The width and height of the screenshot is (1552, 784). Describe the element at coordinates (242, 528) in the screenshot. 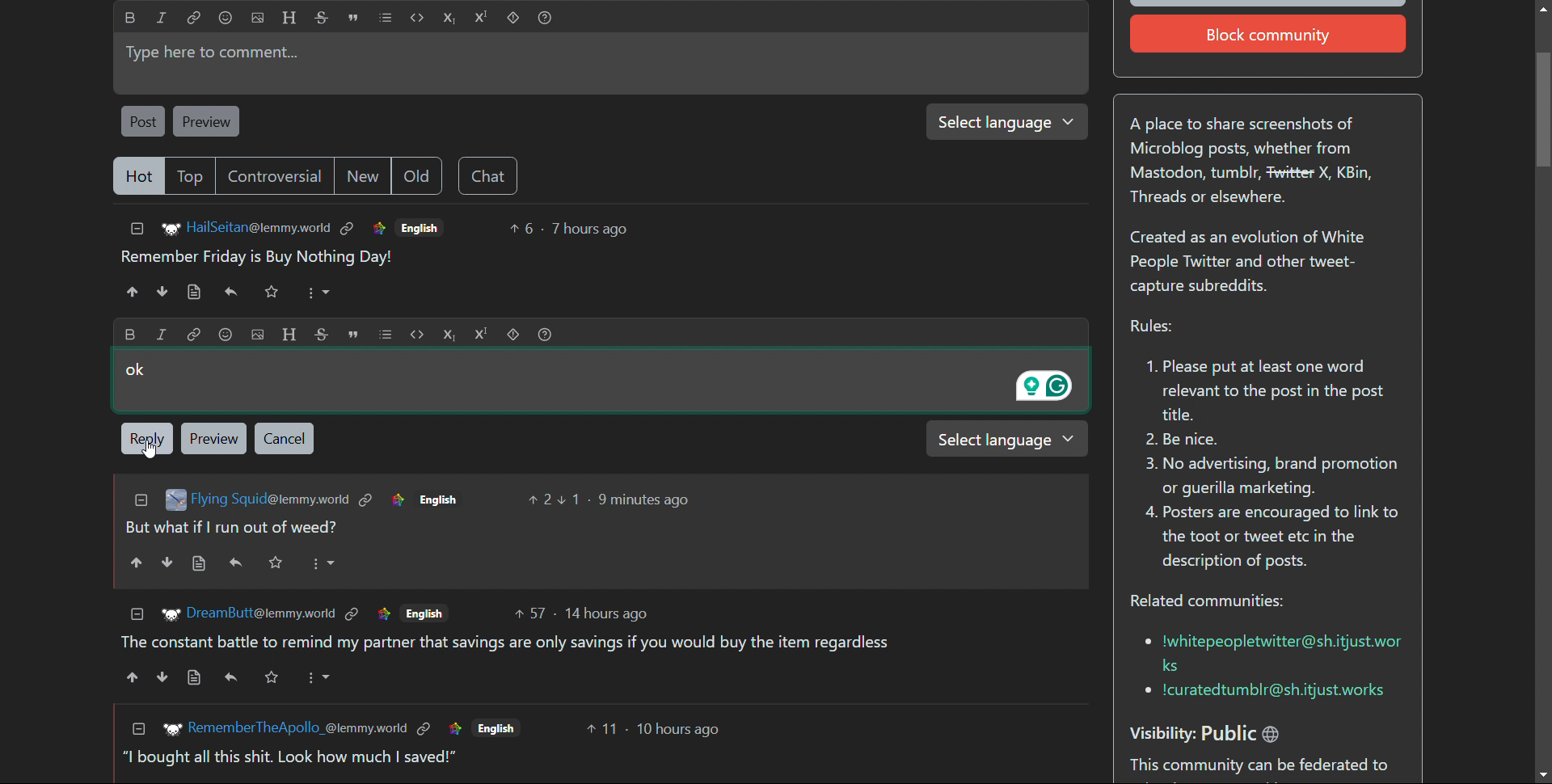

I see `comment` at that location.